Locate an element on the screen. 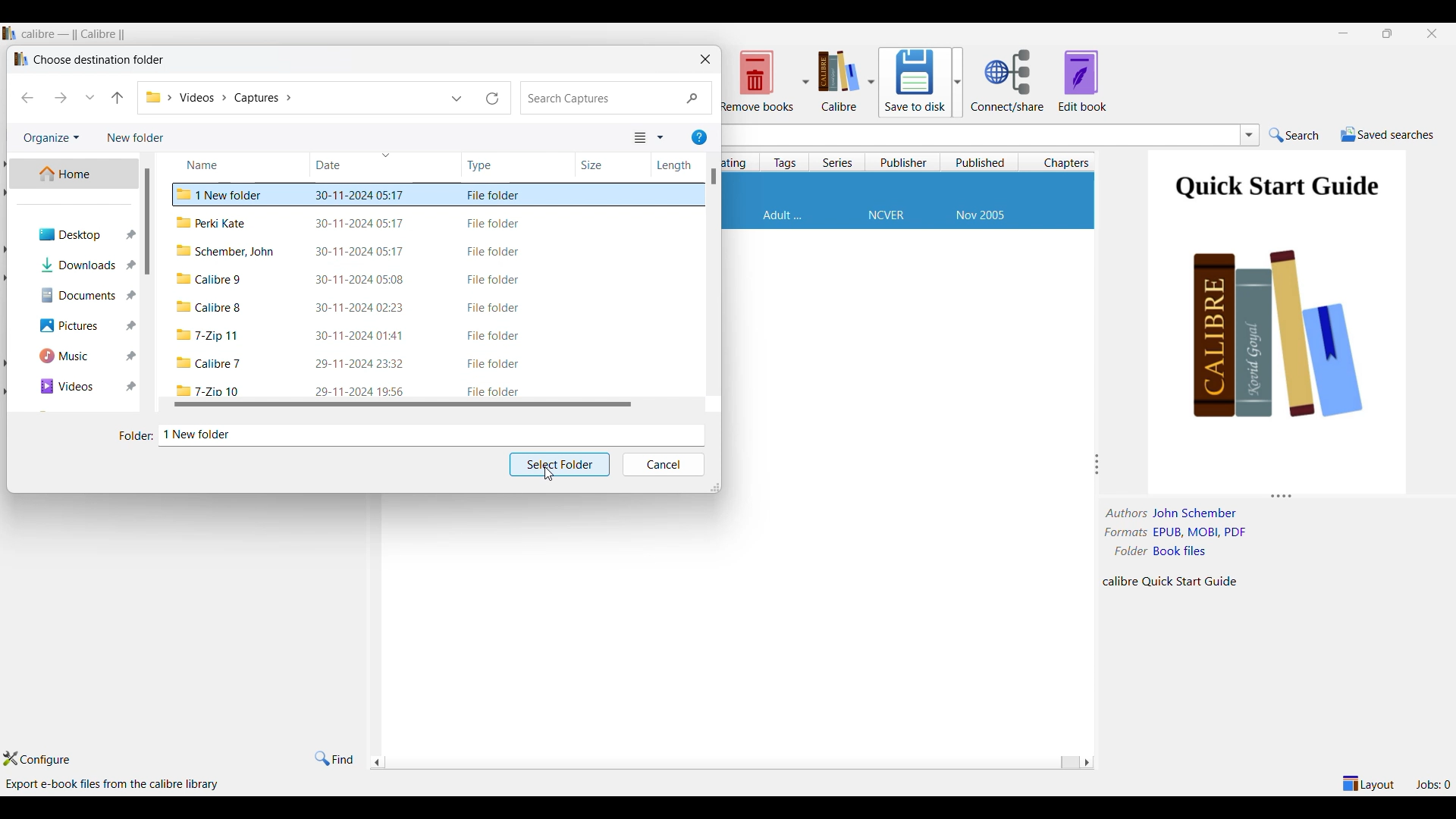 This screenshot has width=1456, height=819. folder is located at coordinates (227, 252).